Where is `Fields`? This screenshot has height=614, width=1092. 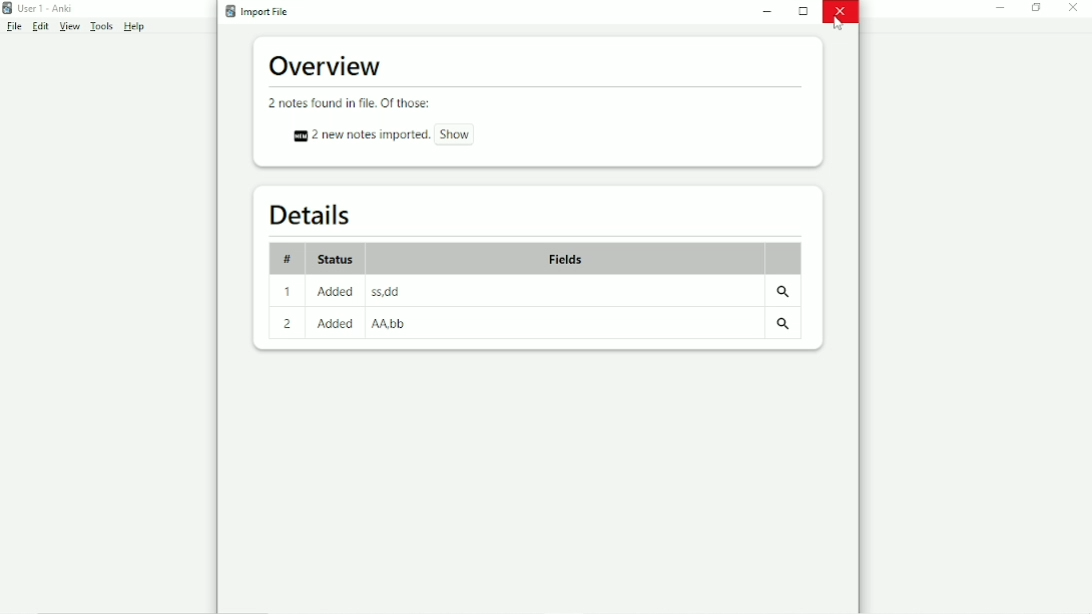 Fields is located at coordinates (565, 257).